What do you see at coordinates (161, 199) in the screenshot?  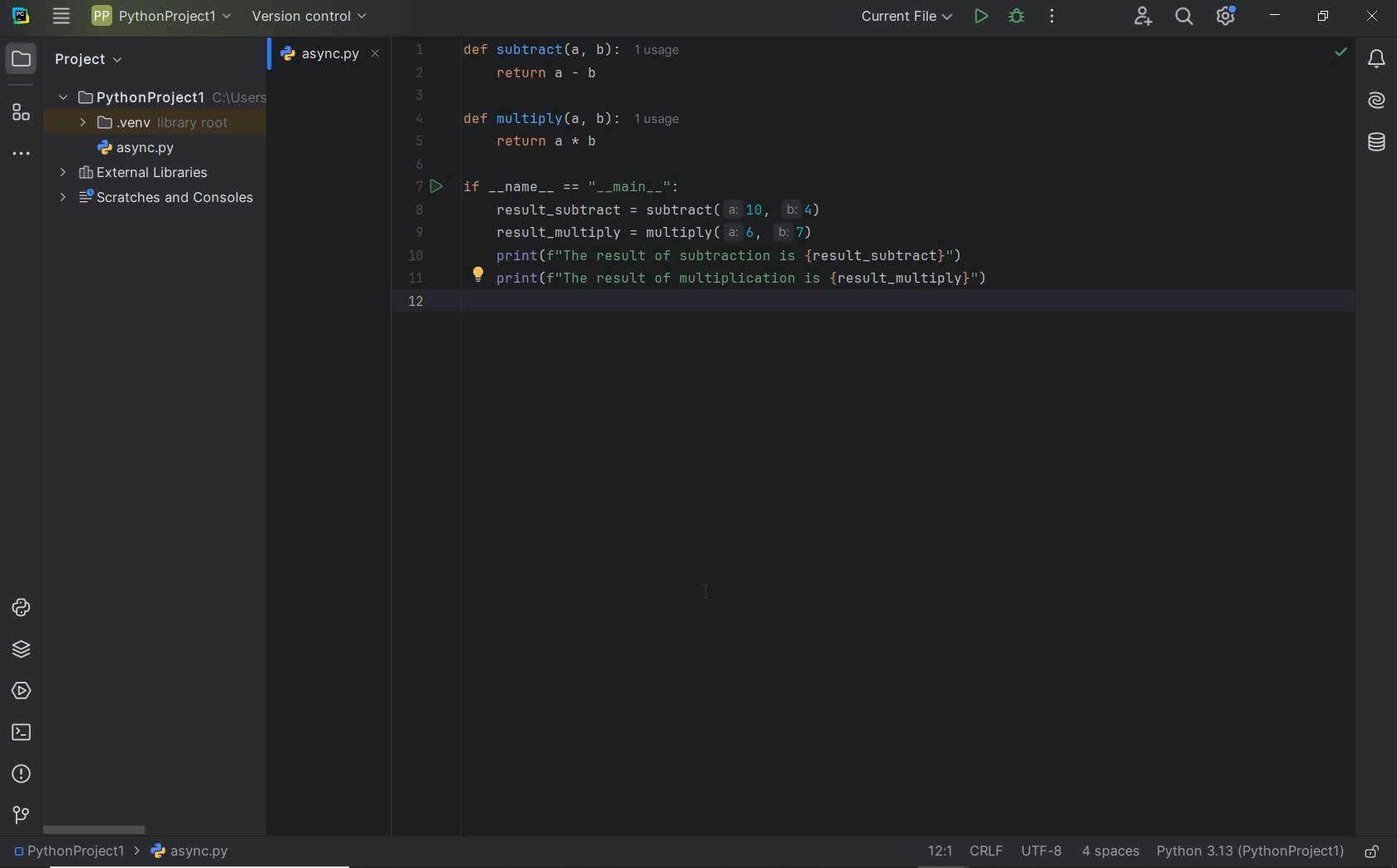 I see `scratches and consoles` at bounding box center [161, 199].